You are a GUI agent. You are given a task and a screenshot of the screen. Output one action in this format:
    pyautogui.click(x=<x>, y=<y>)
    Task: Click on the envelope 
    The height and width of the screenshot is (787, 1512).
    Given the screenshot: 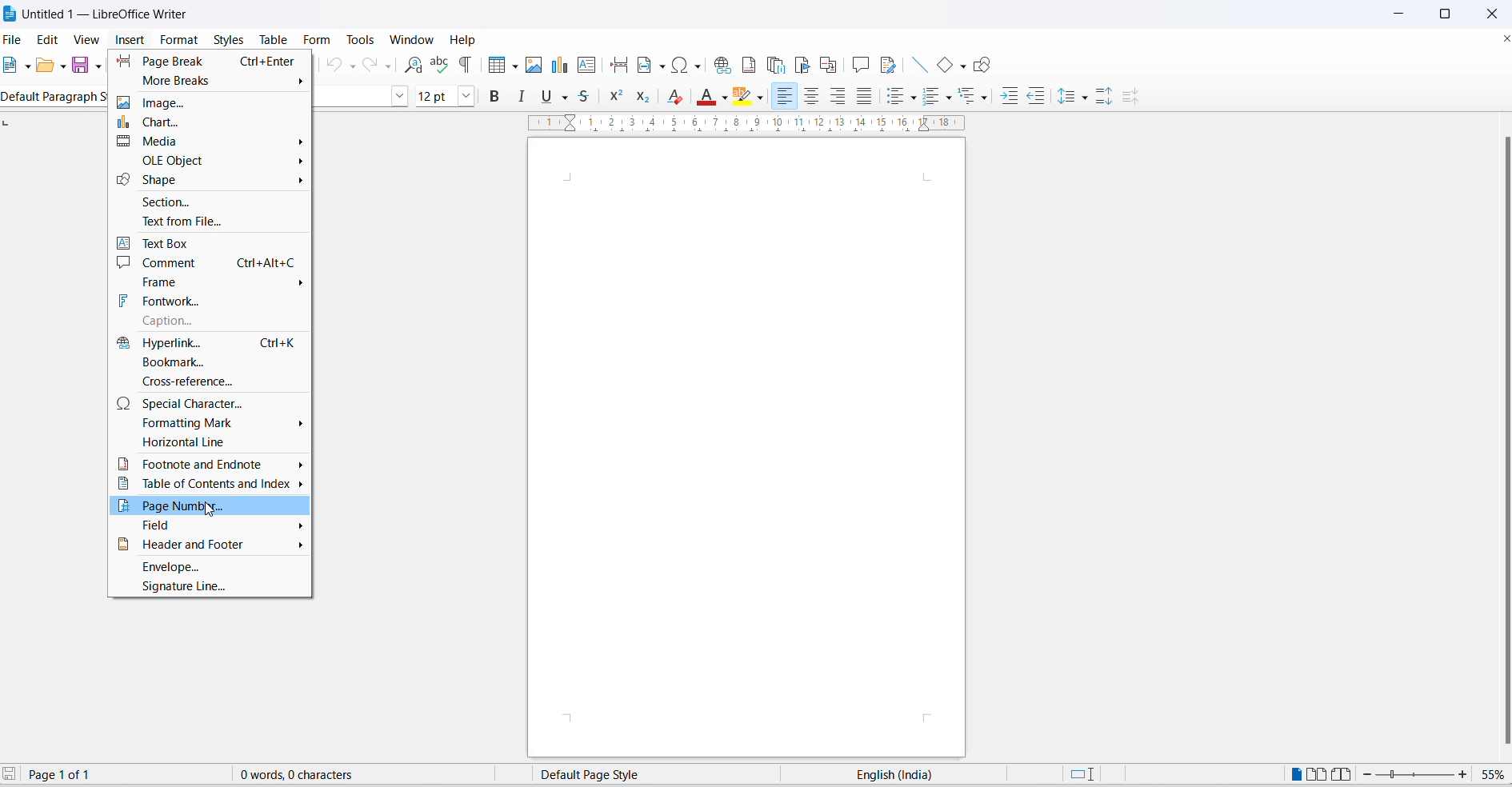 What is the action you would take?
    pyautogui.click(x=207, y=567)
    